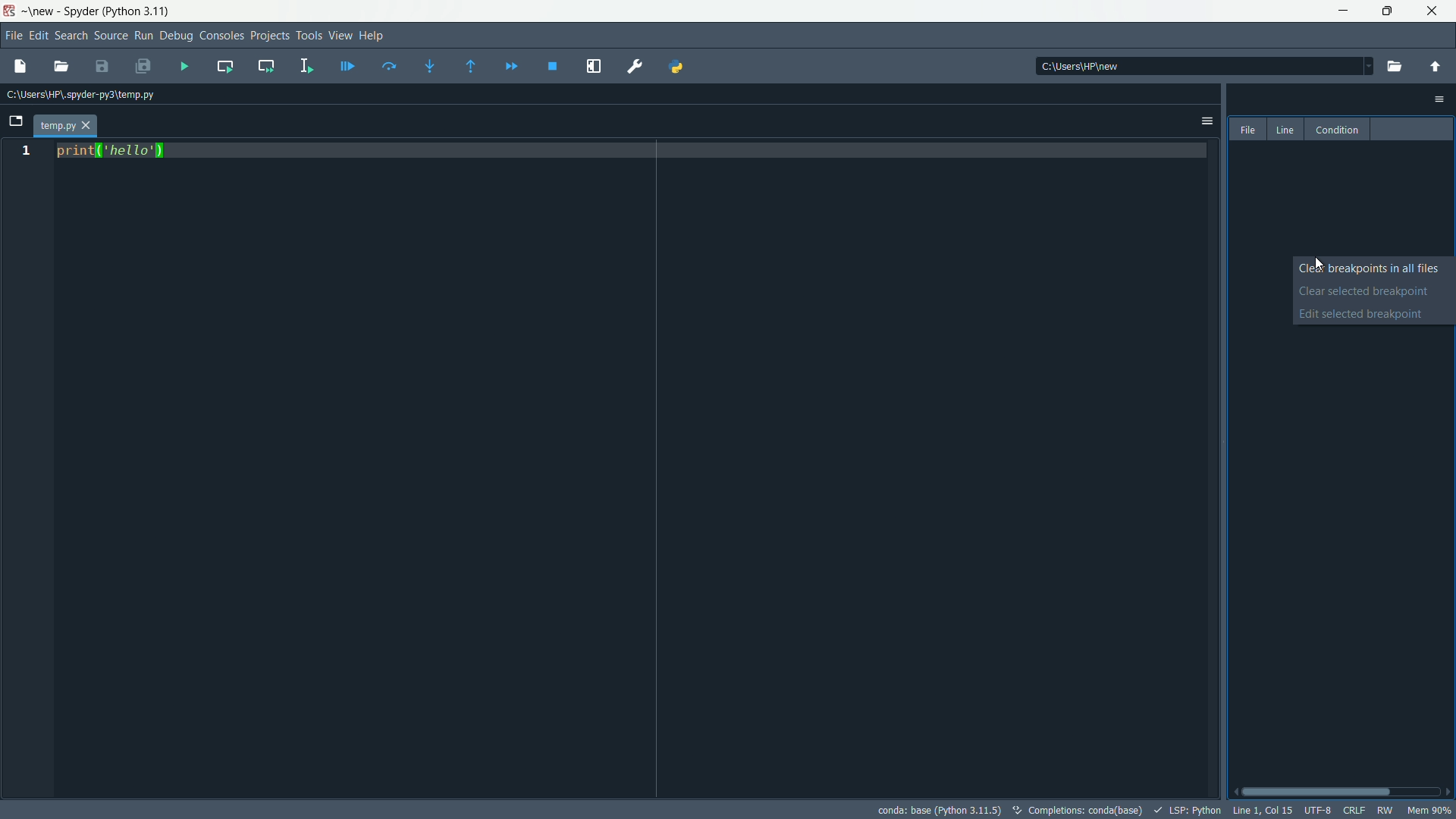 Image resolution: width=1456 pixels, height=819 pixels. What do you see at coordinates (64, 126) in the screenshot?
I see `temp.py tab` at bounding box center [64, 126].